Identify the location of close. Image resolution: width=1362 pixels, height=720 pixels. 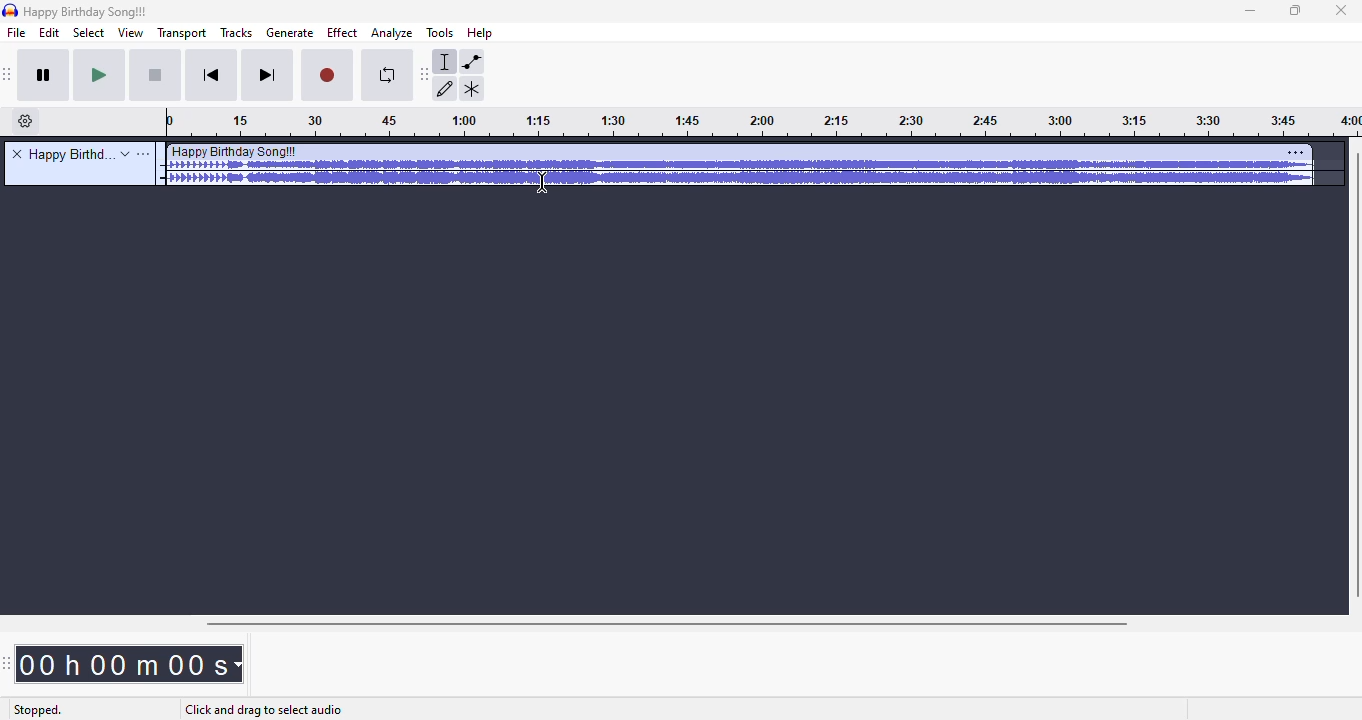
(1341, 11).